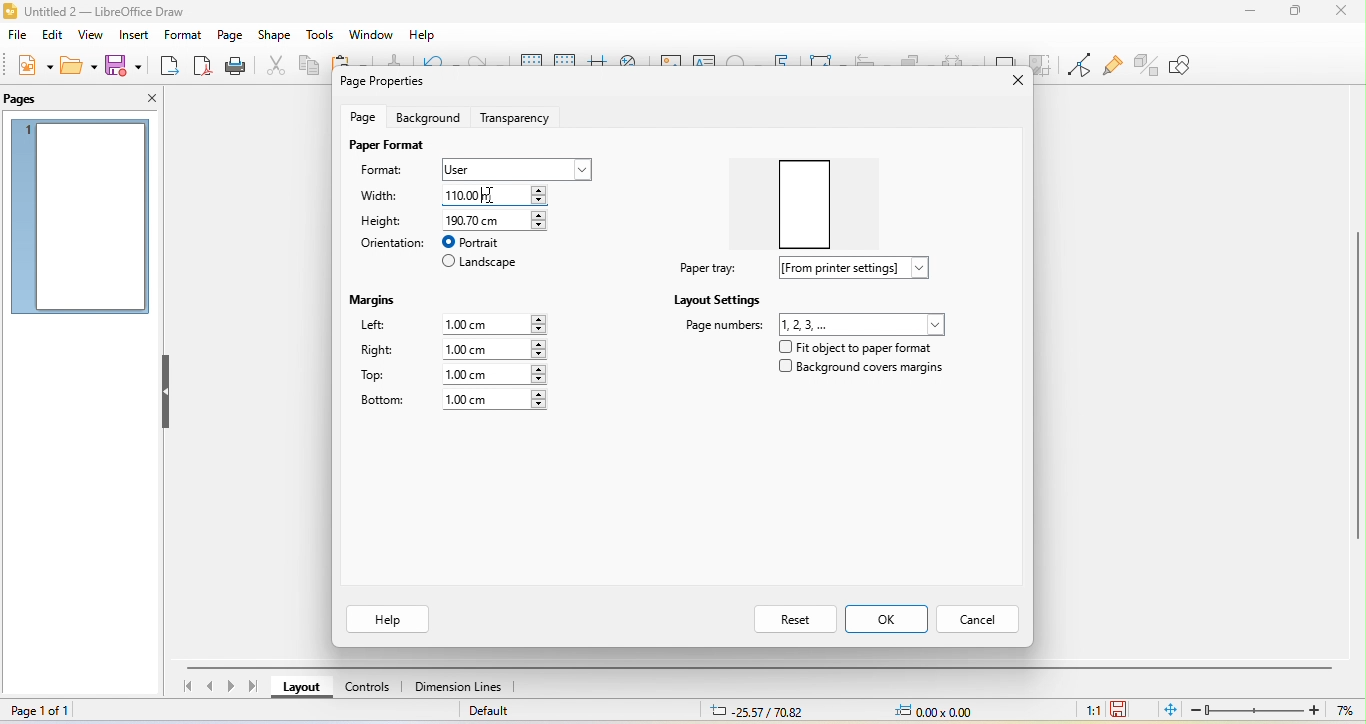 The width and height of the screenshot is (1366, 724). What do you see at coordinates (378, 352) in the screenshot?
I see `right` at bounding box center [378, 352].